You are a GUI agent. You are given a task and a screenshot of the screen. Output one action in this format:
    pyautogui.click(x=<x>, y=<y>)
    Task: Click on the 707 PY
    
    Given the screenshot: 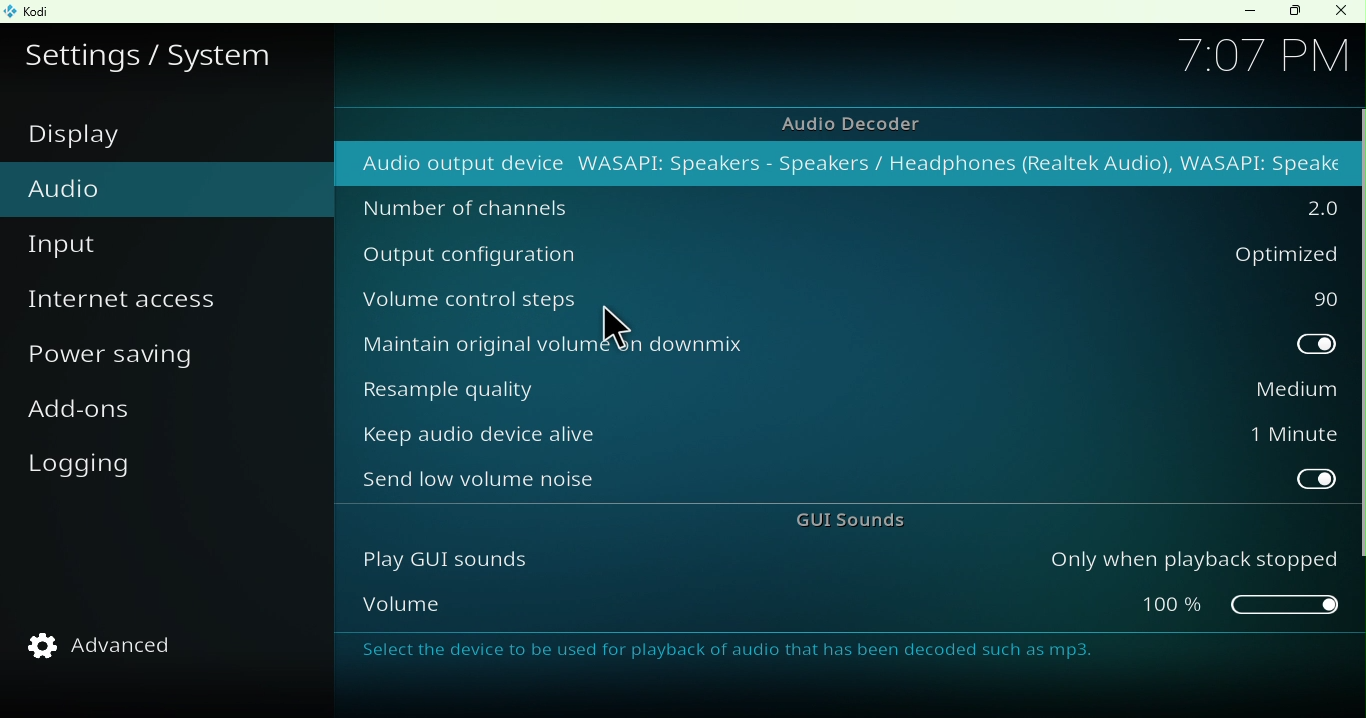 What is the action you would take?
    pyautogui.click(x=1251, y=58)
    